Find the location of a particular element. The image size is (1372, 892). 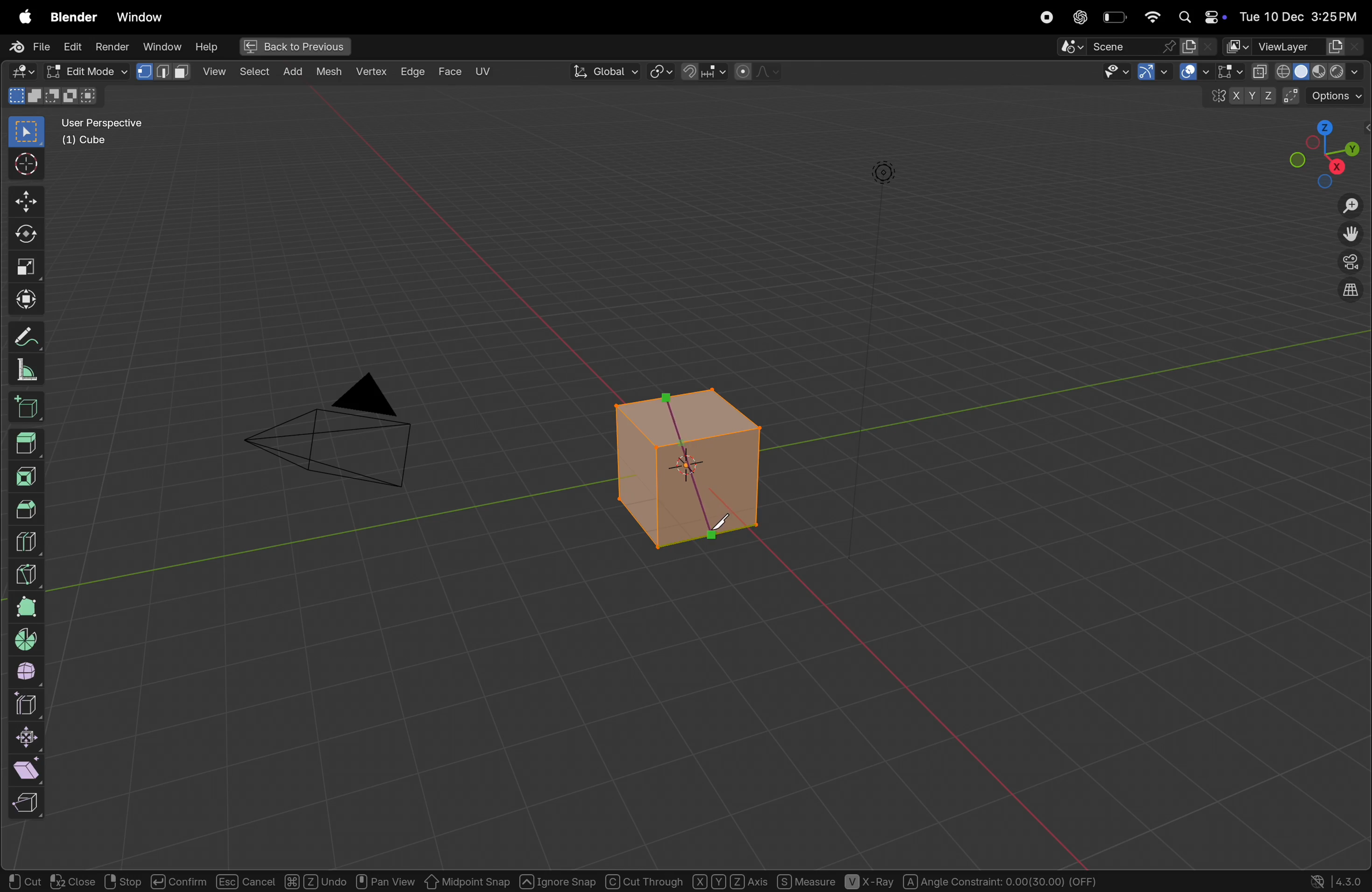

Stop is located at coordinates (121, 881).